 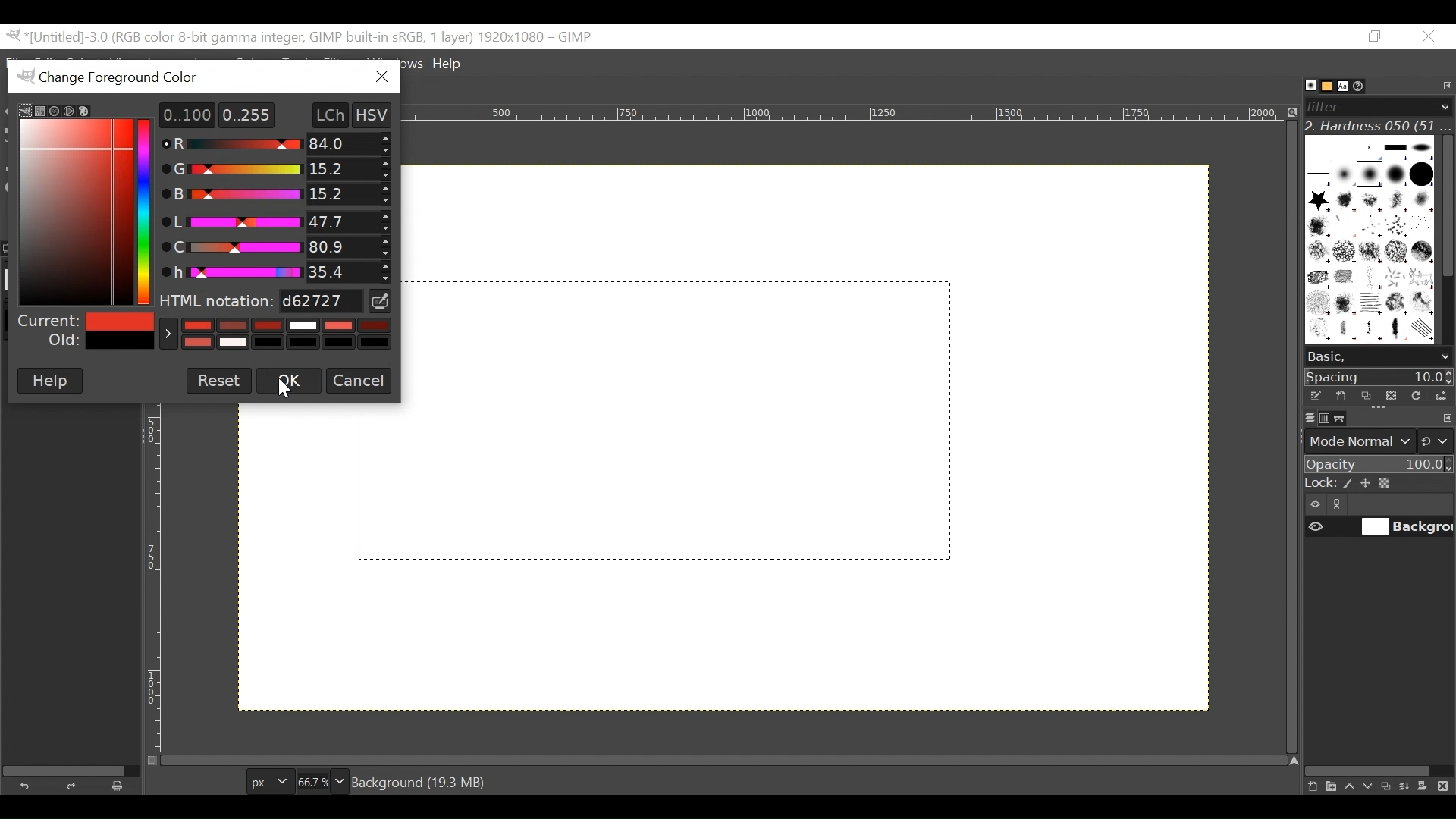 What do you see at coordinates (1438, 396) in the screenshot?
I see `Open` at bounding box center [1438, 396].